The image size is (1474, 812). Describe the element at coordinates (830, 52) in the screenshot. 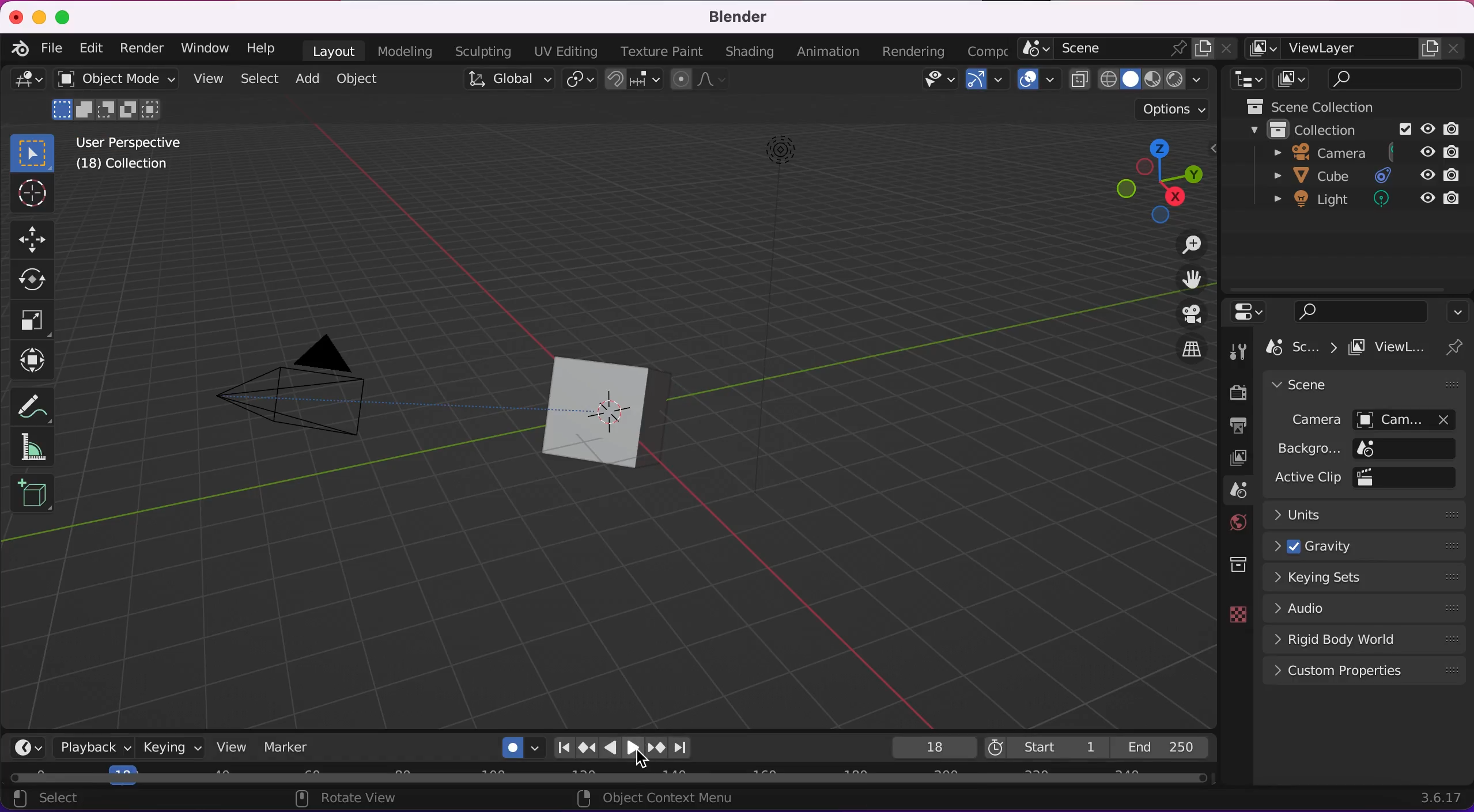

I see `animation` at that location.